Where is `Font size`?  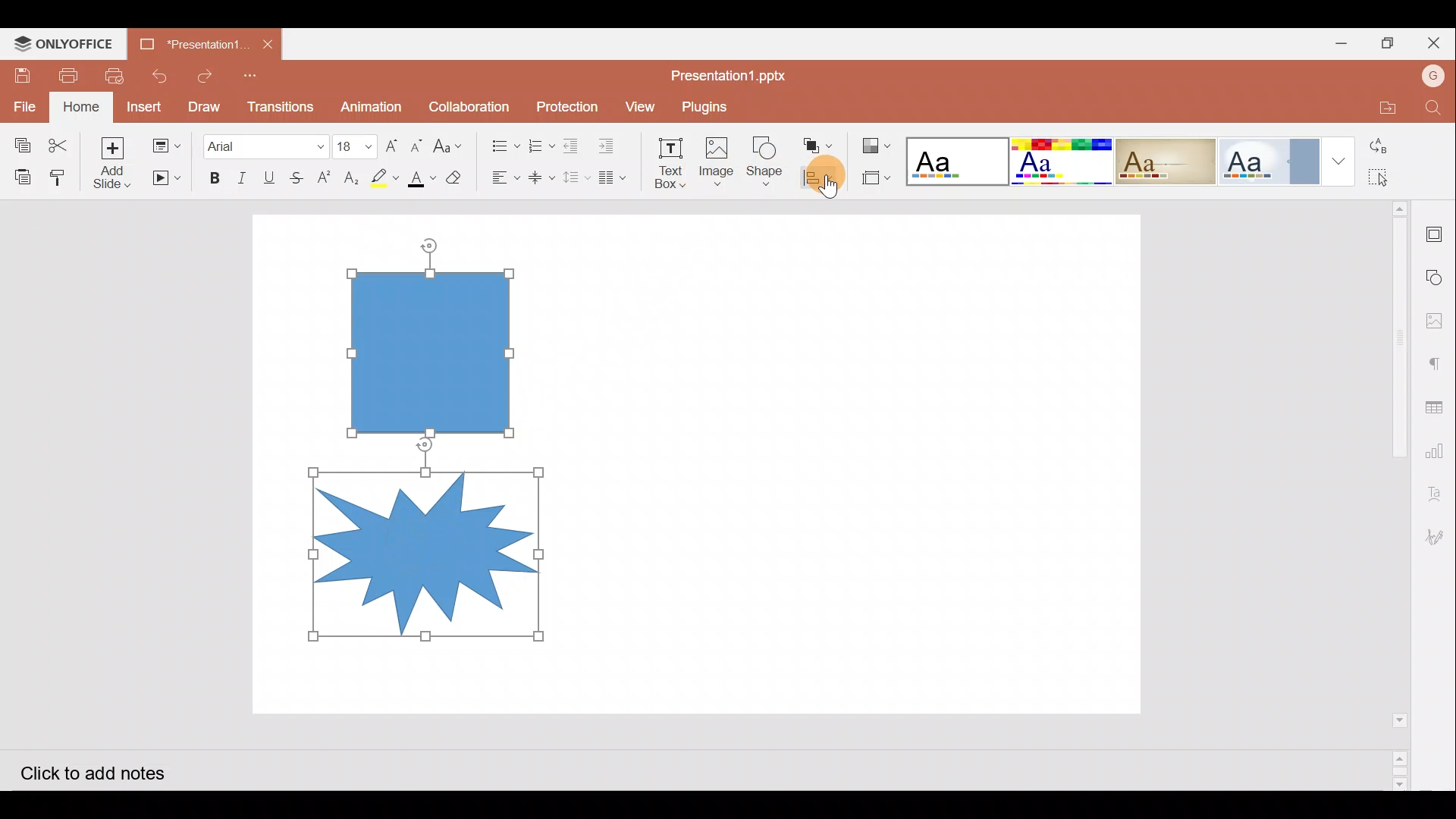 Font size is located at coordinates (350, 140).